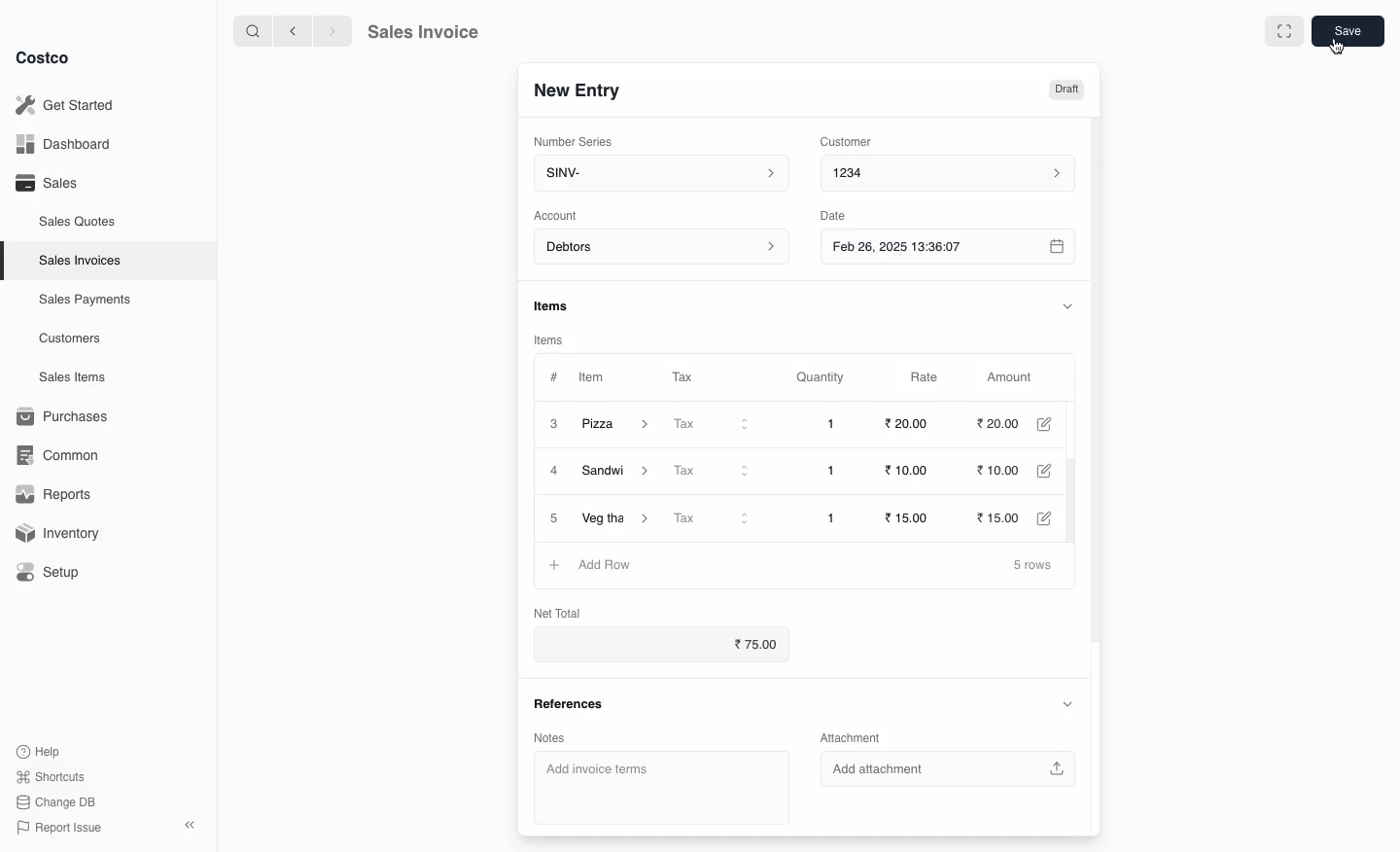 The image size is (1400, 852). I want to click on Item, so click(594, 379).